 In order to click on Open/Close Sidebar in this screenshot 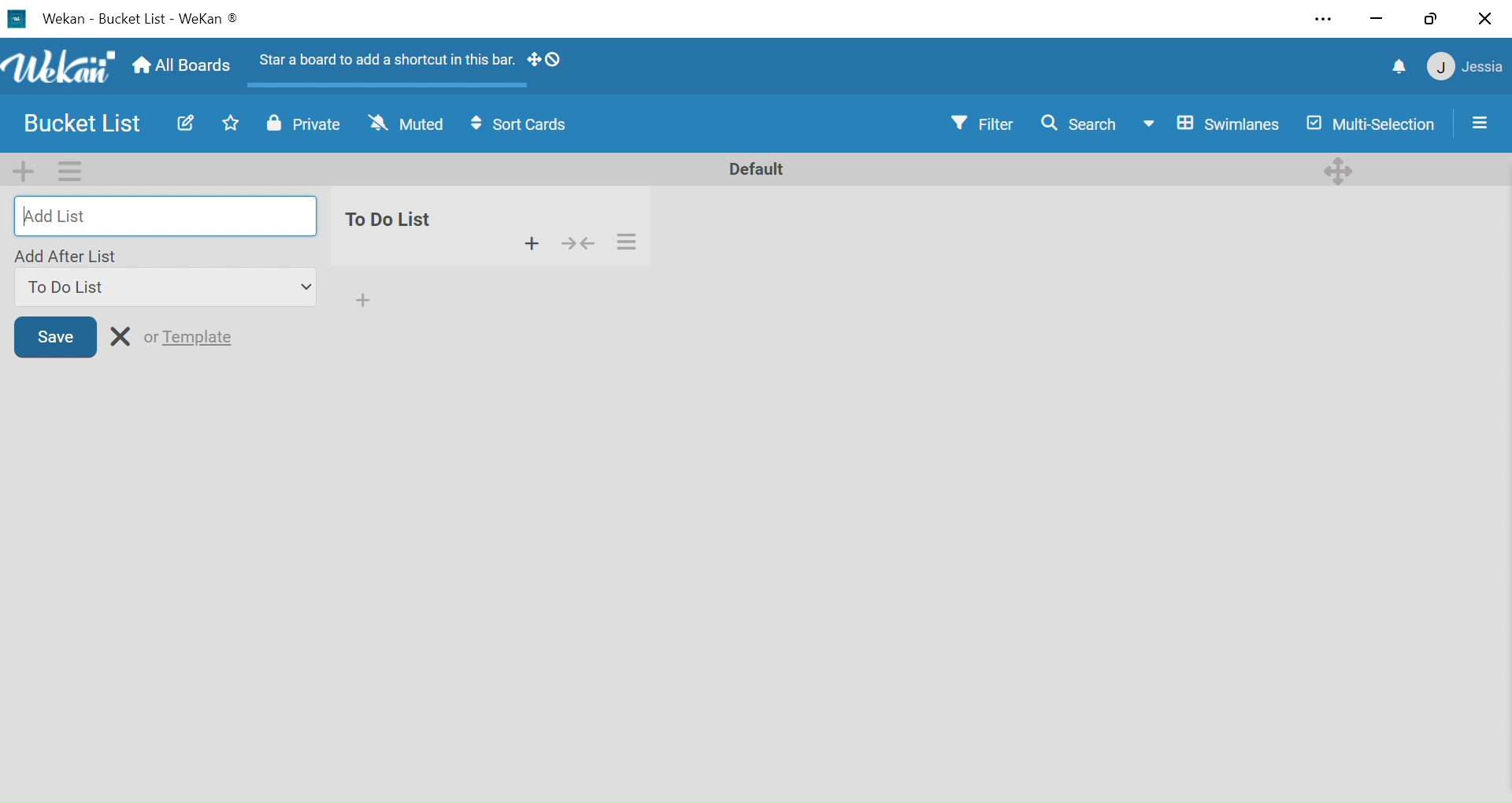, I will do `click(1483, 121)`.